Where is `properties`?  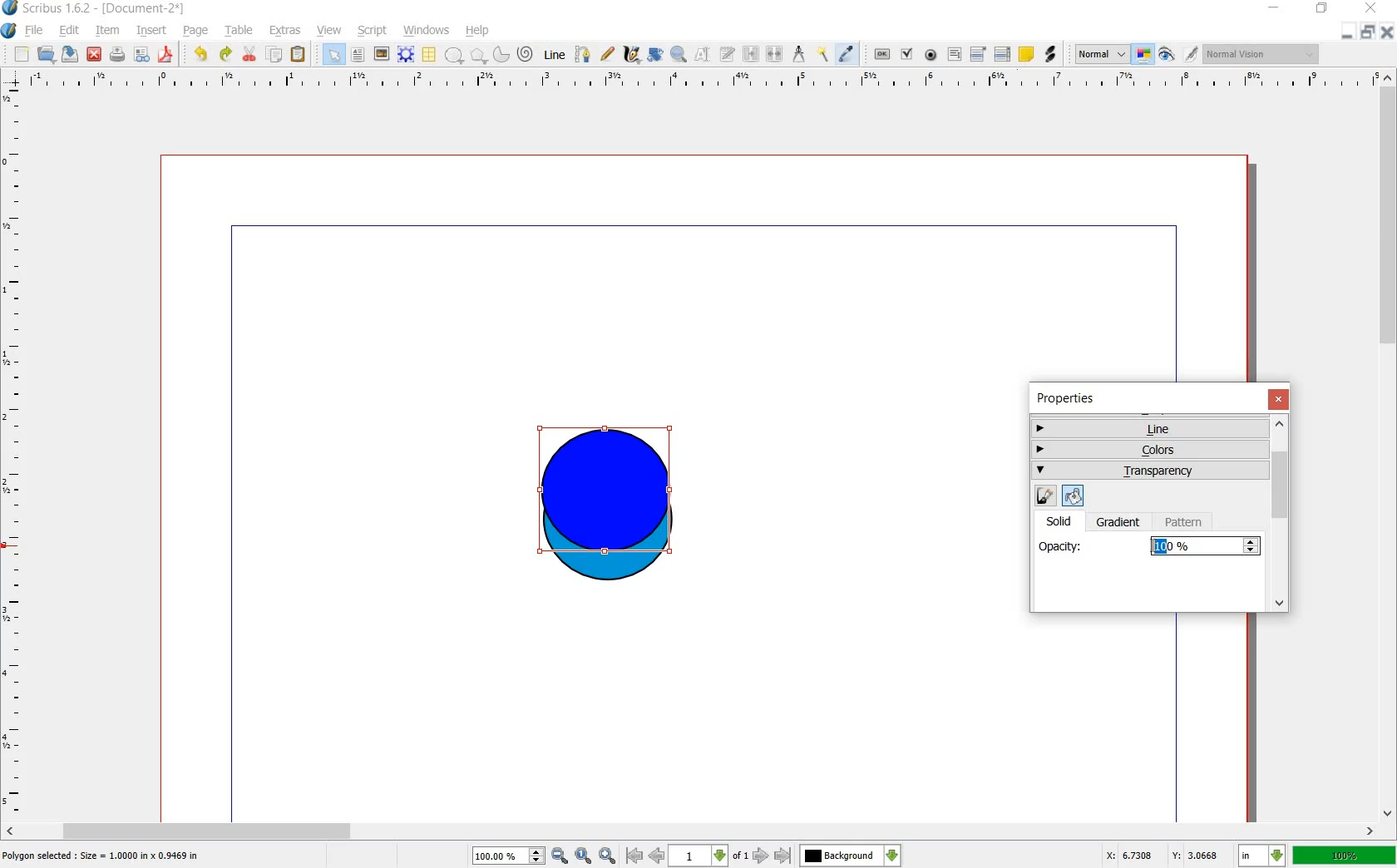
properties is located at coordinates (1071, 398).